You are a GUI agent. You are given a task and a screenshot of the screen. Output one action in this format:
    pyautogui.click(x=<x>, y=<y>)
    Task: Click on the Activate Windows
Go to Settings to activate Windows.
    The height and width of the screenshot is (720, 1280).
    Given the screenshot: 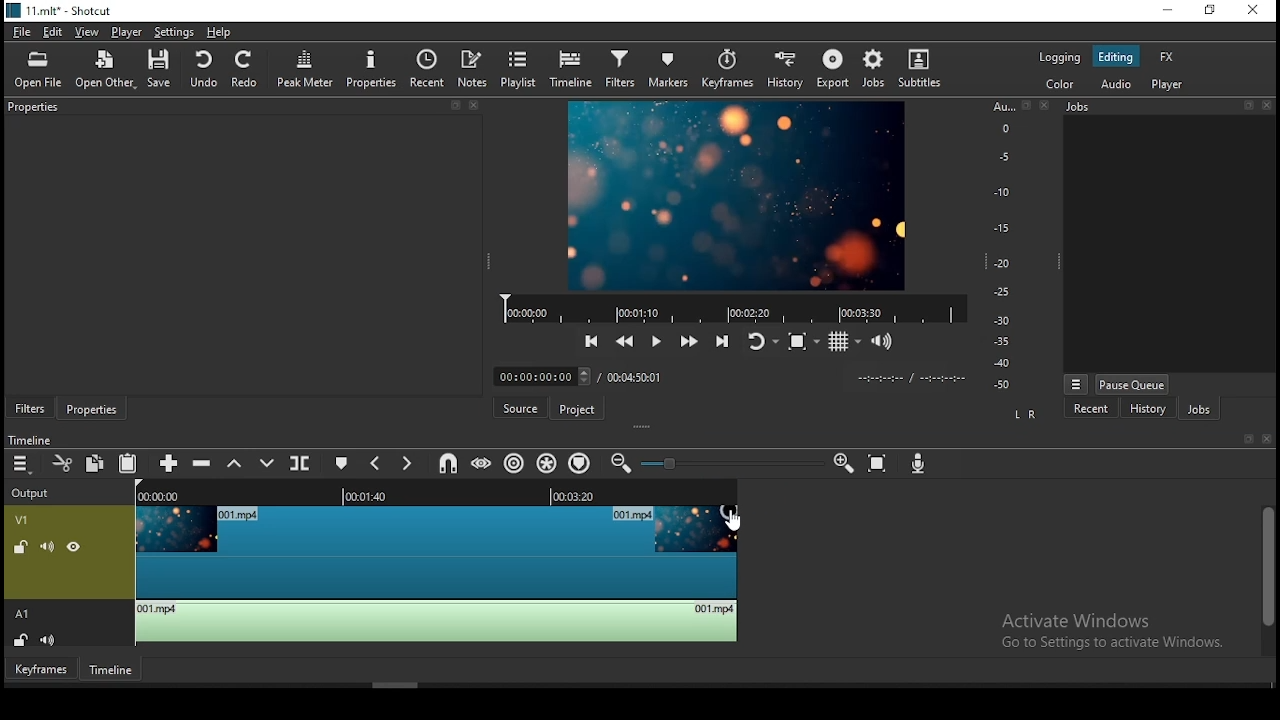 What is the action you would take?
    pyautogui.click(x=1112, y=633)
    